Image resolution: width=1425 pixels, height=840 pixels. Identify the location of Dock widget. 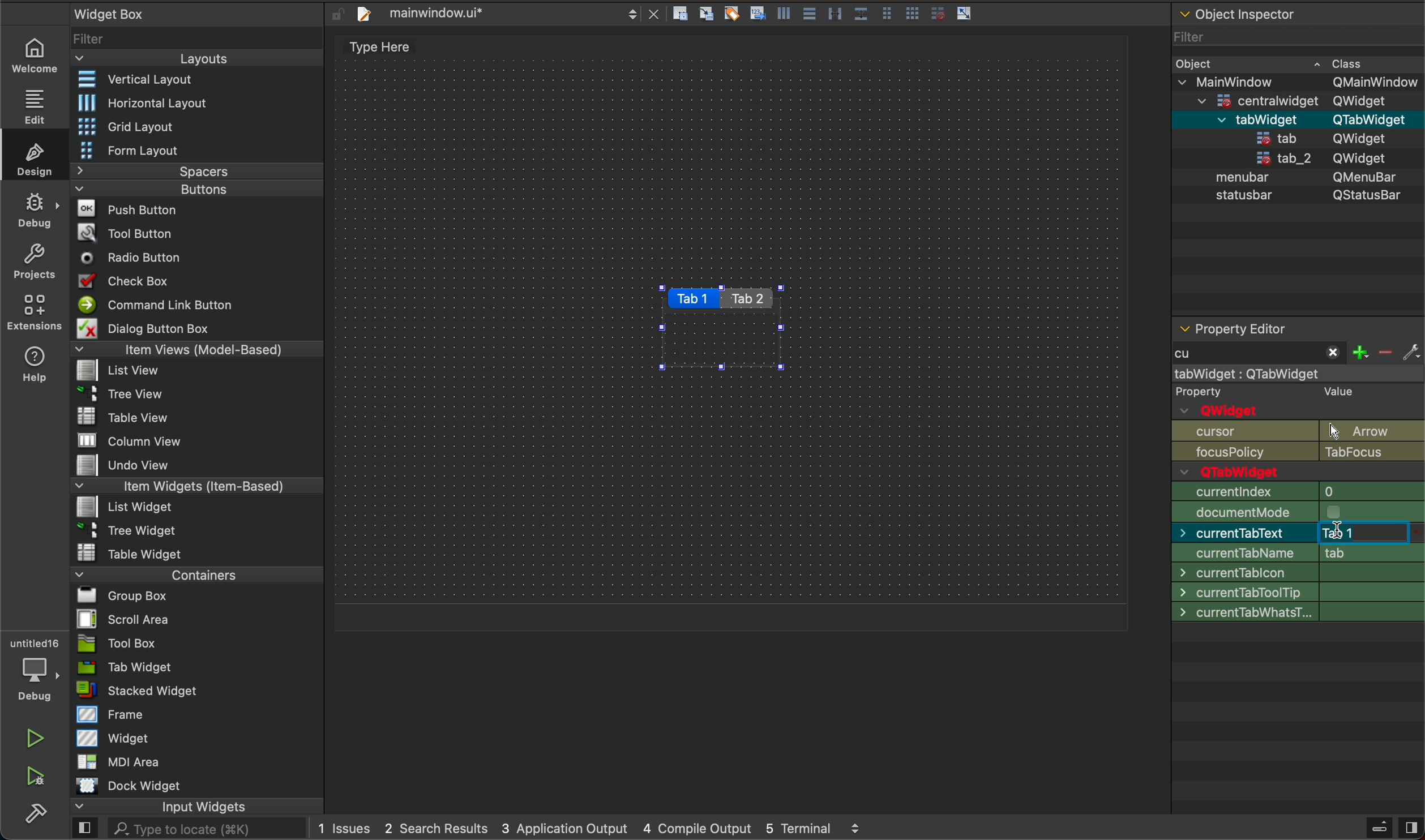
(146, 786).